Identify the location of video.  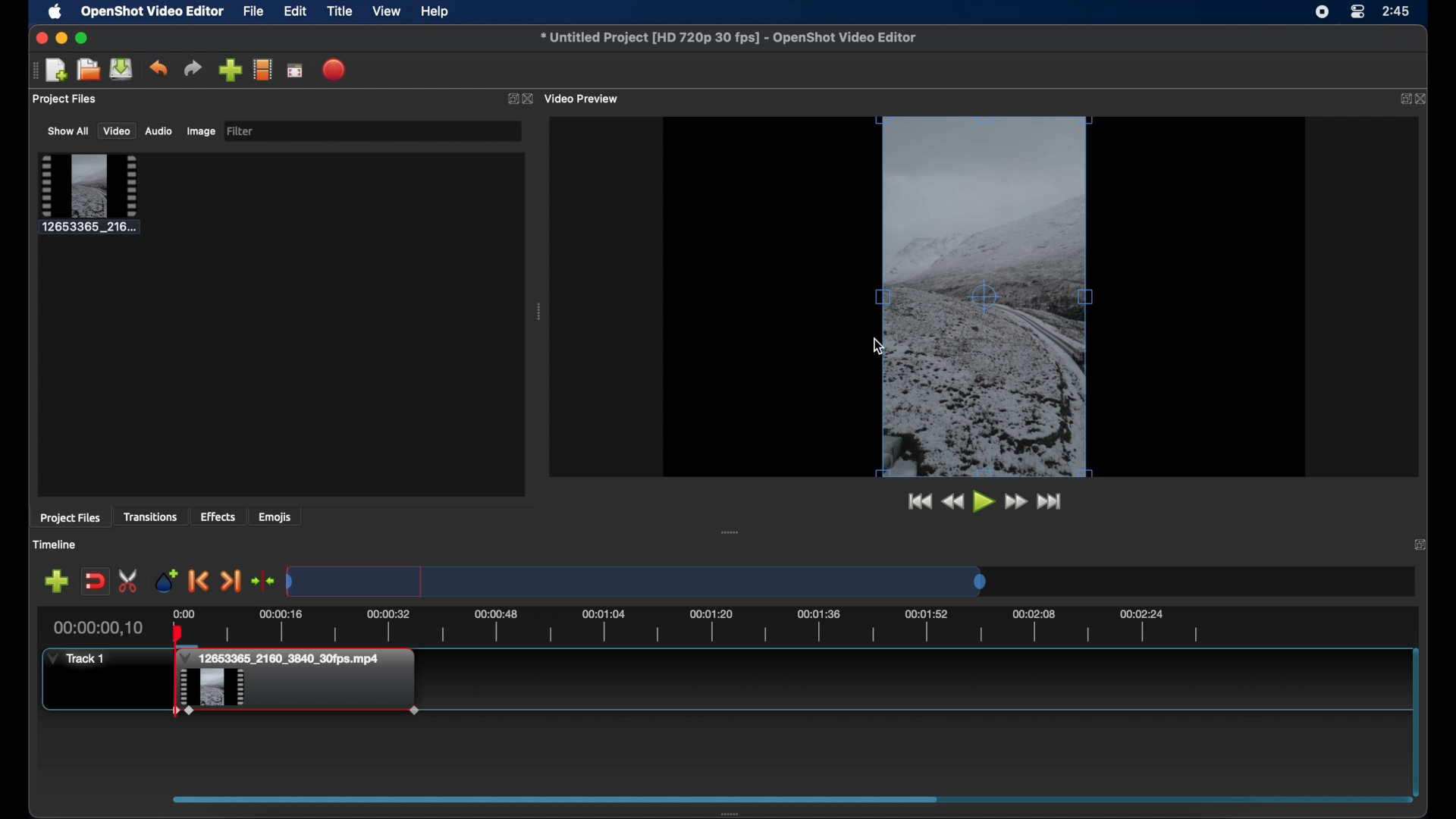
(117, 131).